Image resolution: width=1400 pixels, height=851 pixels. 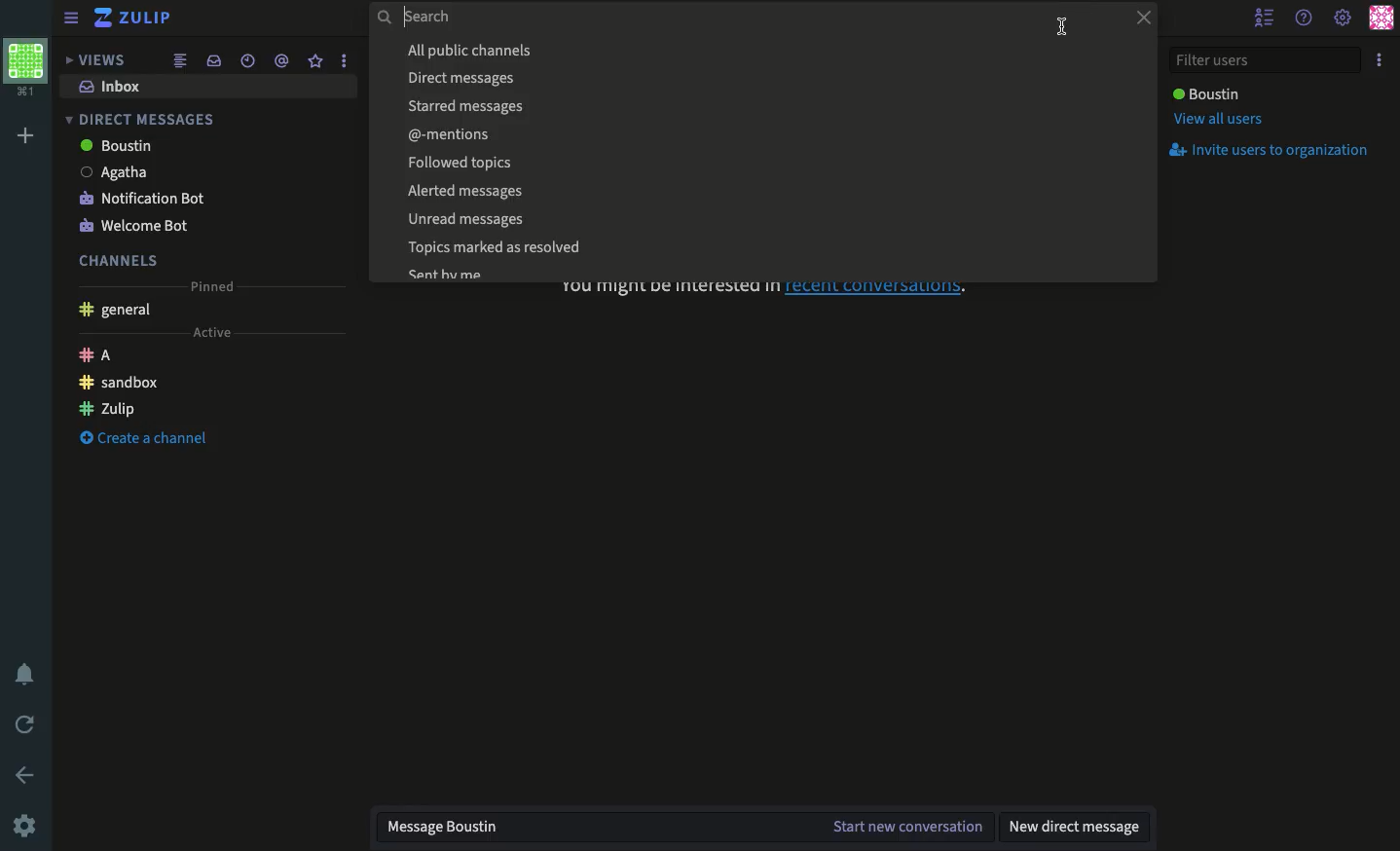 What do you see at coordinates (26, 69) in the screenshot?
I see `Profile` at bounding box center [26, 69].